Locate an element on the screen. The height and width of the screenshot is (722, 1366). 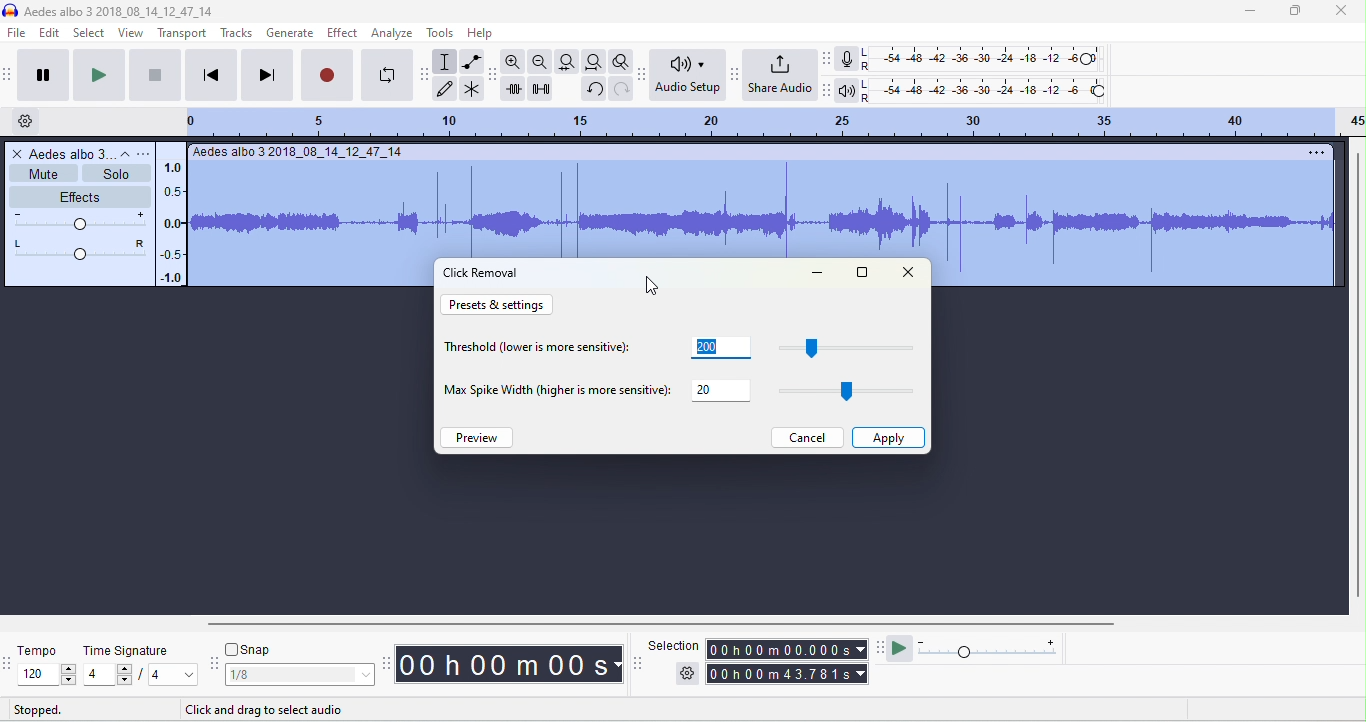
help is located at coordinates (482, 34).